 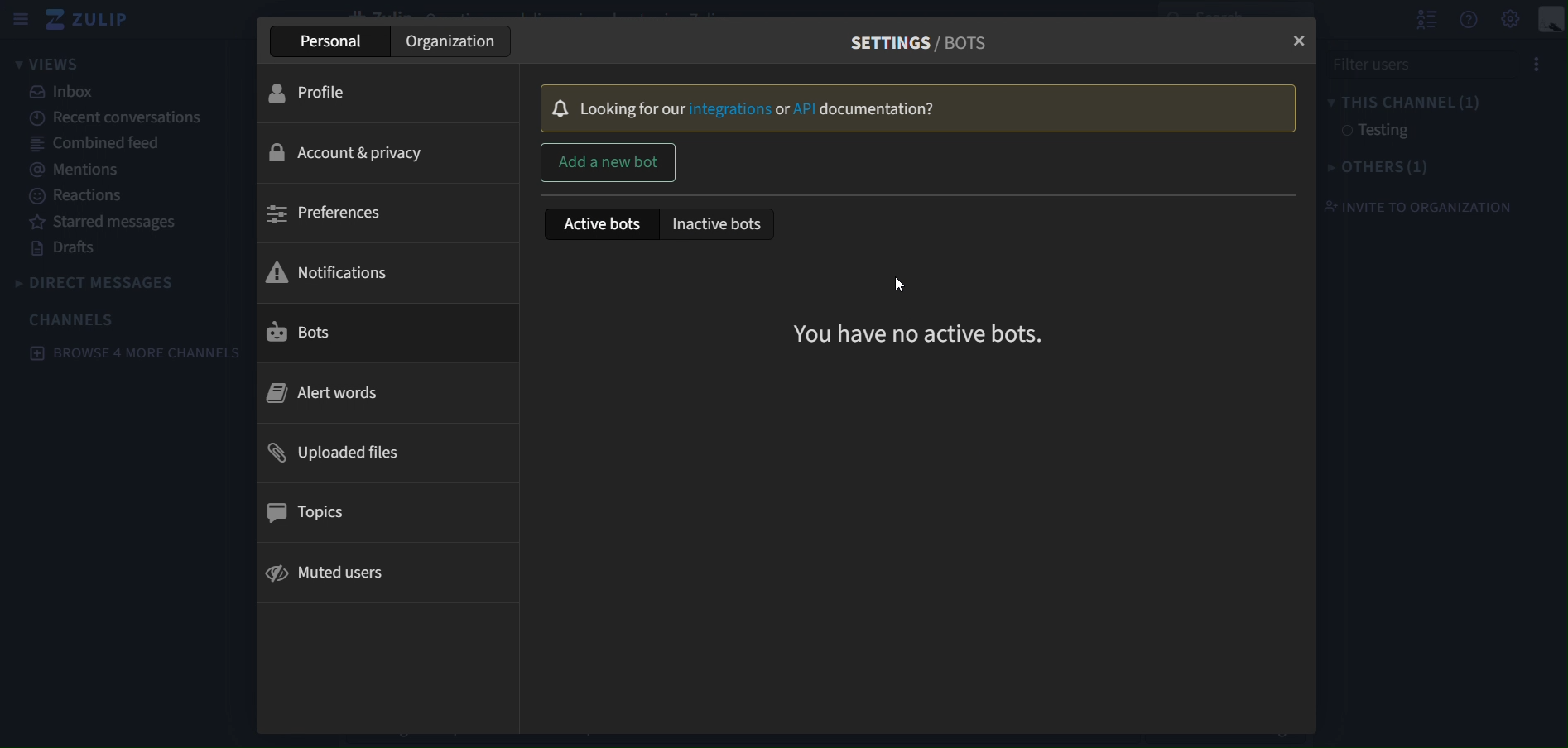 I want to click on profile, so click(x=331, y=93).